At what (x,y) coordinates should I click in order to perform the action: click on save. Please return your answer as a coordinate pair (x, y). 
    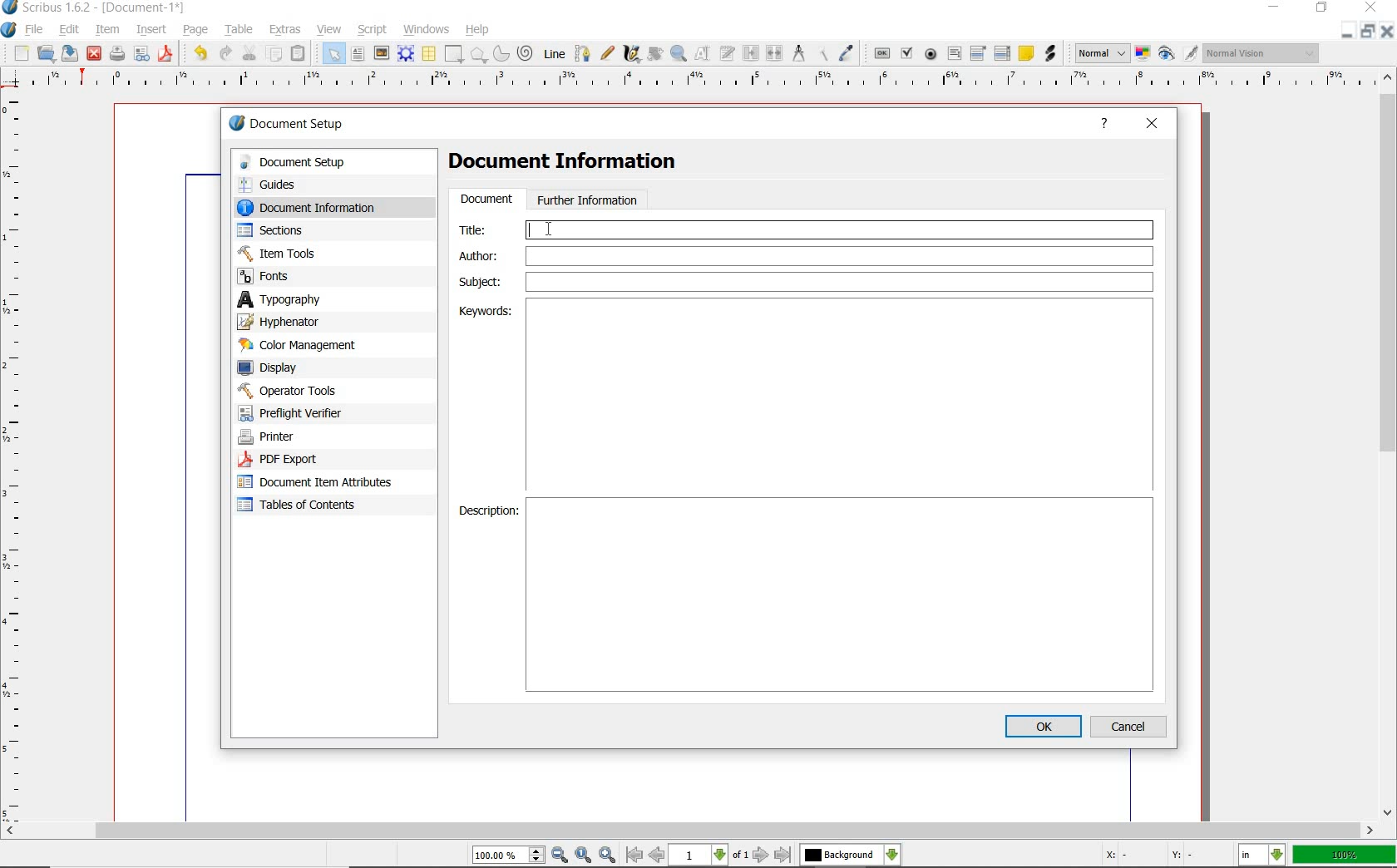
    Looking at the image, I should click on (72, 53).